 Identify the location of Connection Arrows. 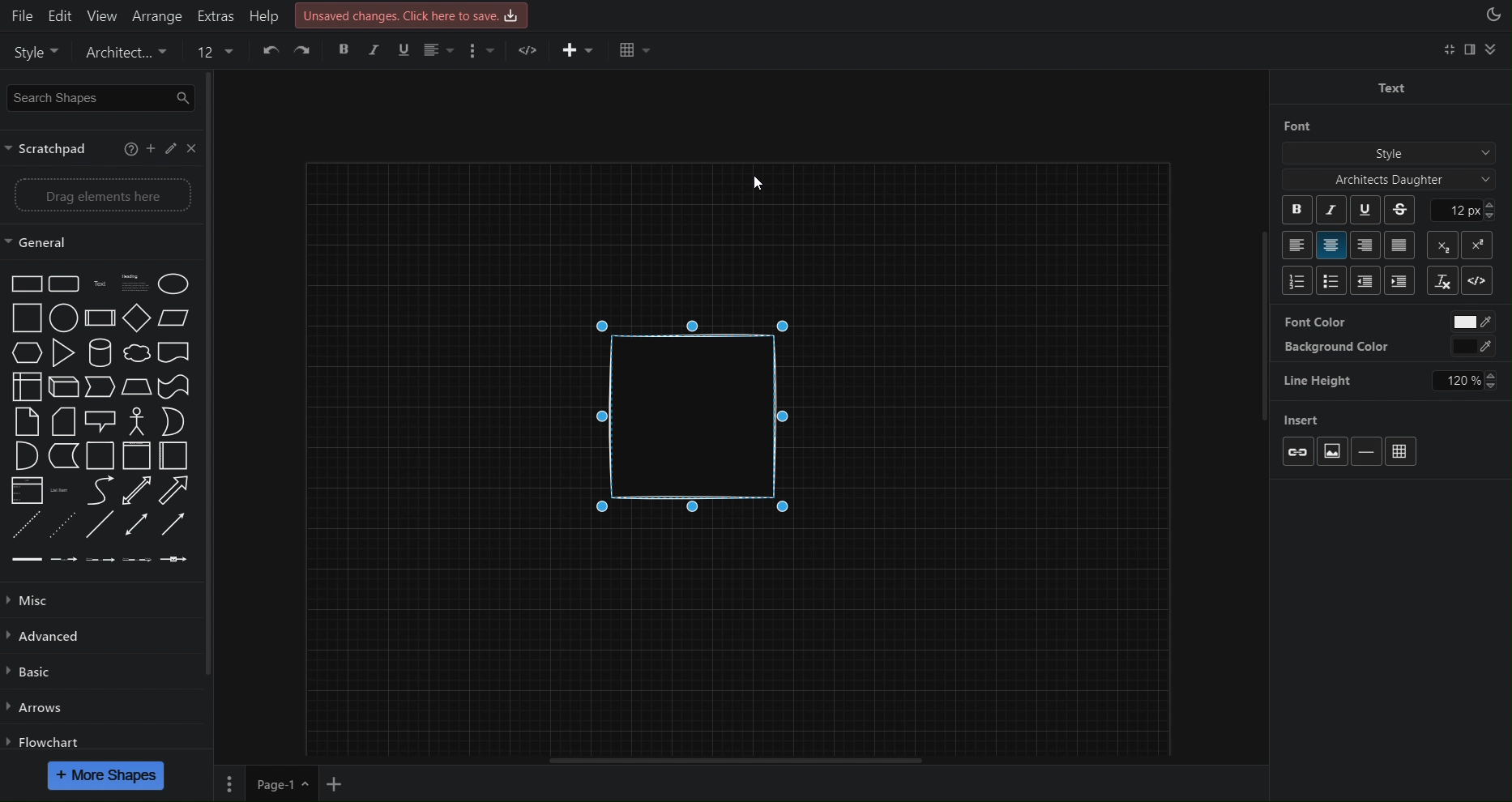
(1348, 319).